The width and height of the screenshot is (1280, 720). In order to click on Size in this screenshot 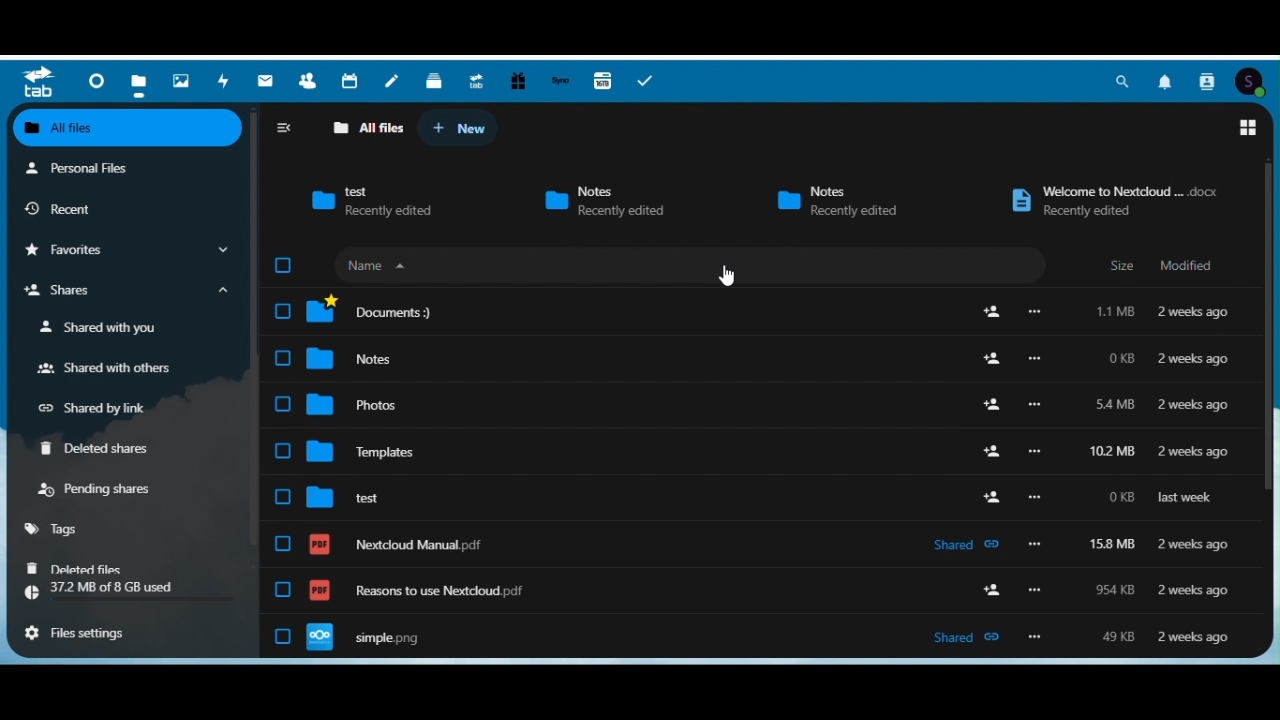, I will do `click(1121, 266)`.